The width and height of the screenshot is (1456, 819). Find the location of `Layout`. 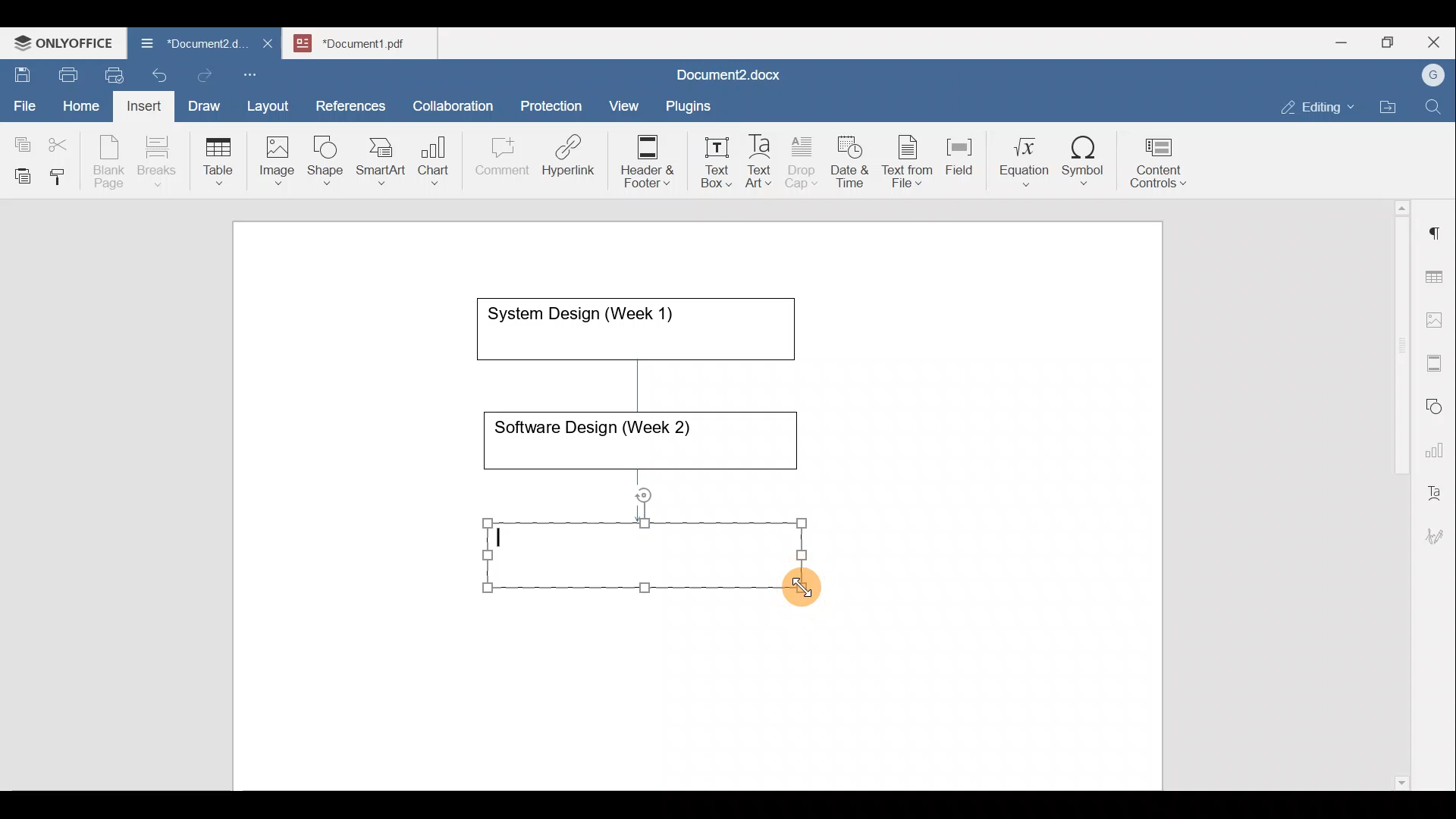

Layout is located at coordinates (271, 103).